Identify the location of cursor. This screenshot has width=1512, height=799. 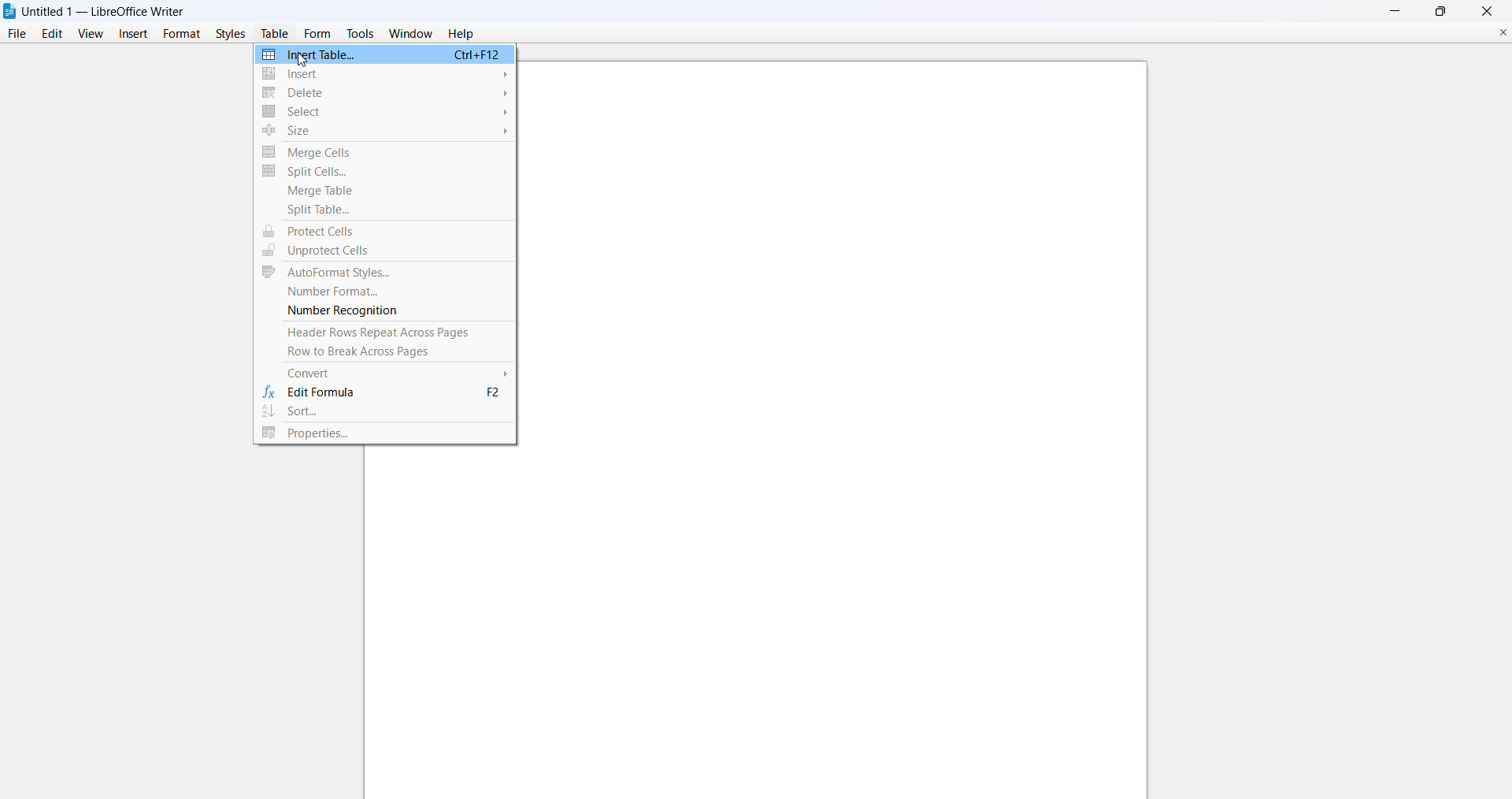
(302, 62).